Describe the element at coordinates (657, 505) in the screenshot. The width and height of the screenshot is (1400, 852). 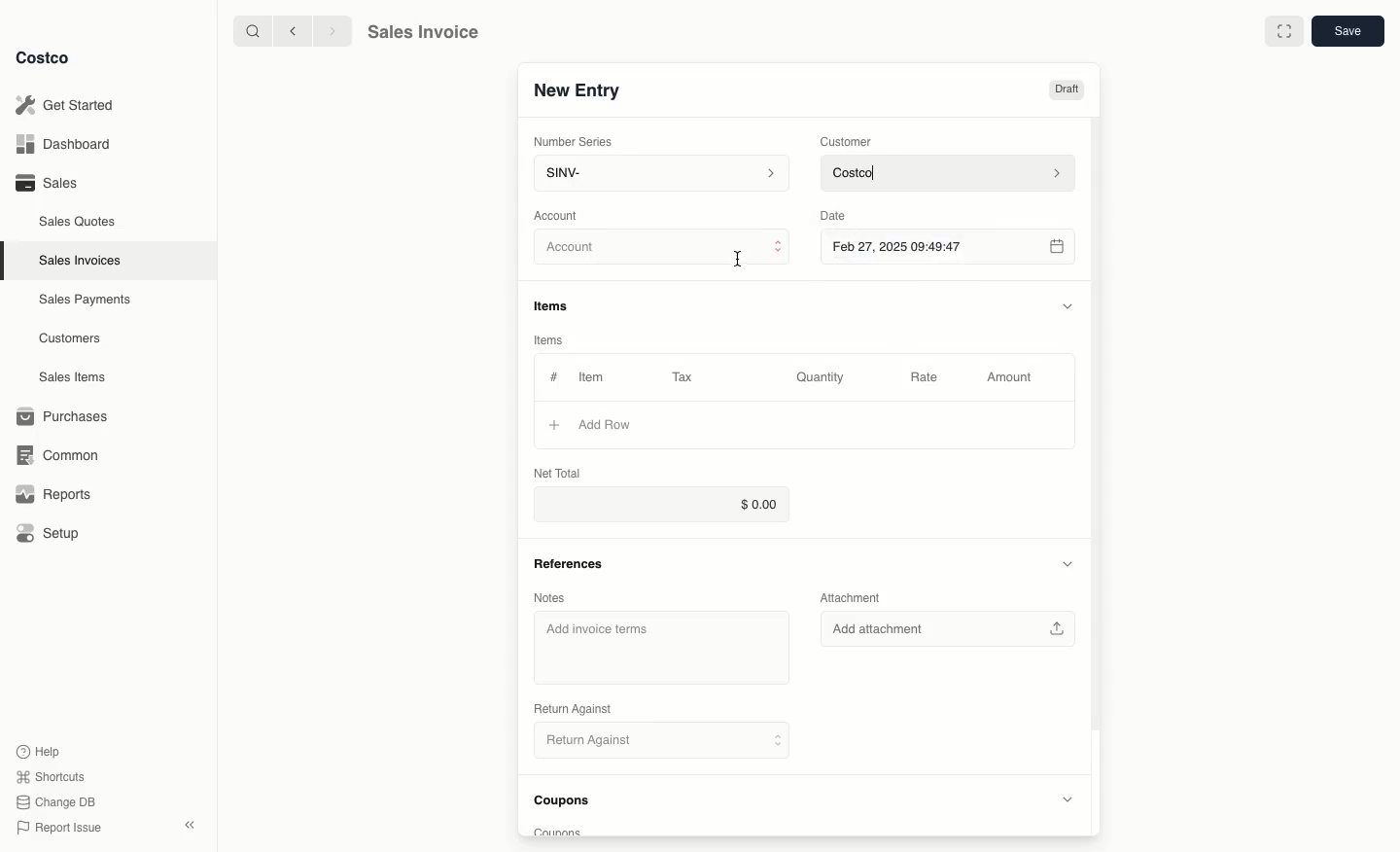
I see `$0.00` at that location.